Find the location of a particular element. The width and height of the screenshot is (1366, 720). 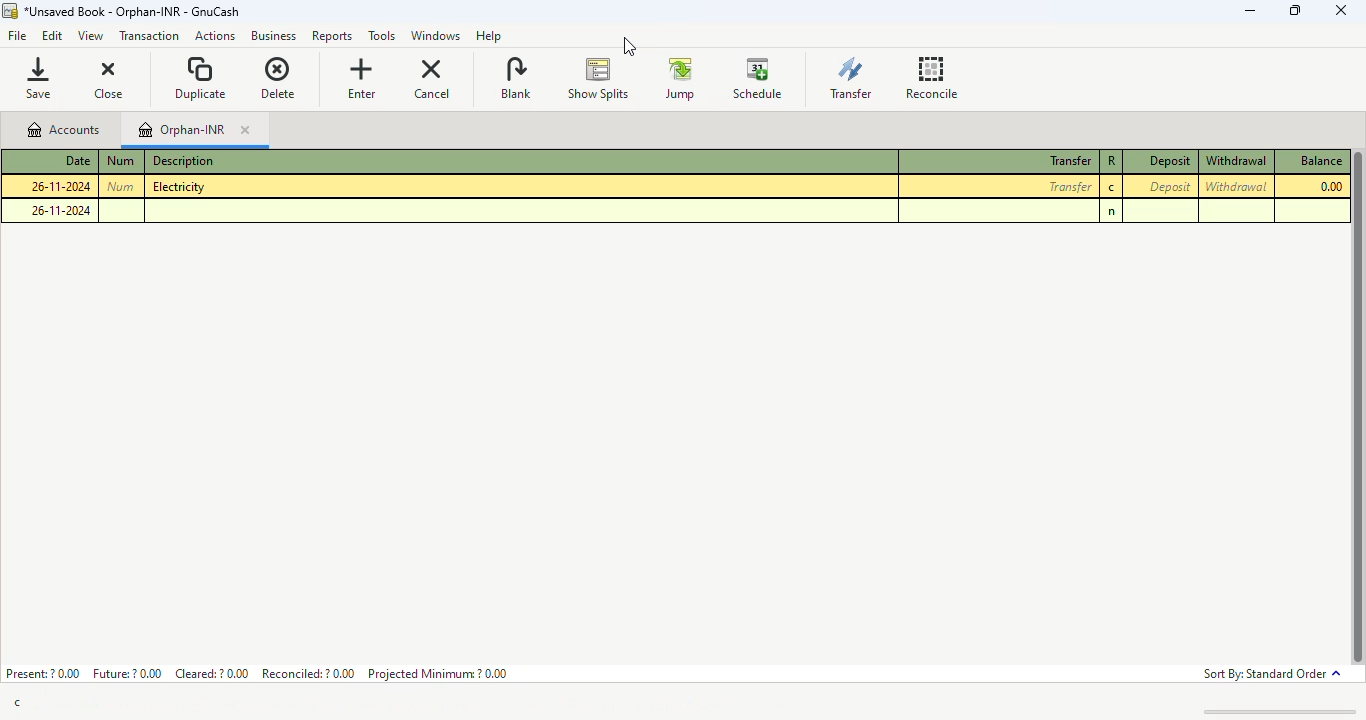

reconcile is located at coordinates (1112, 160).